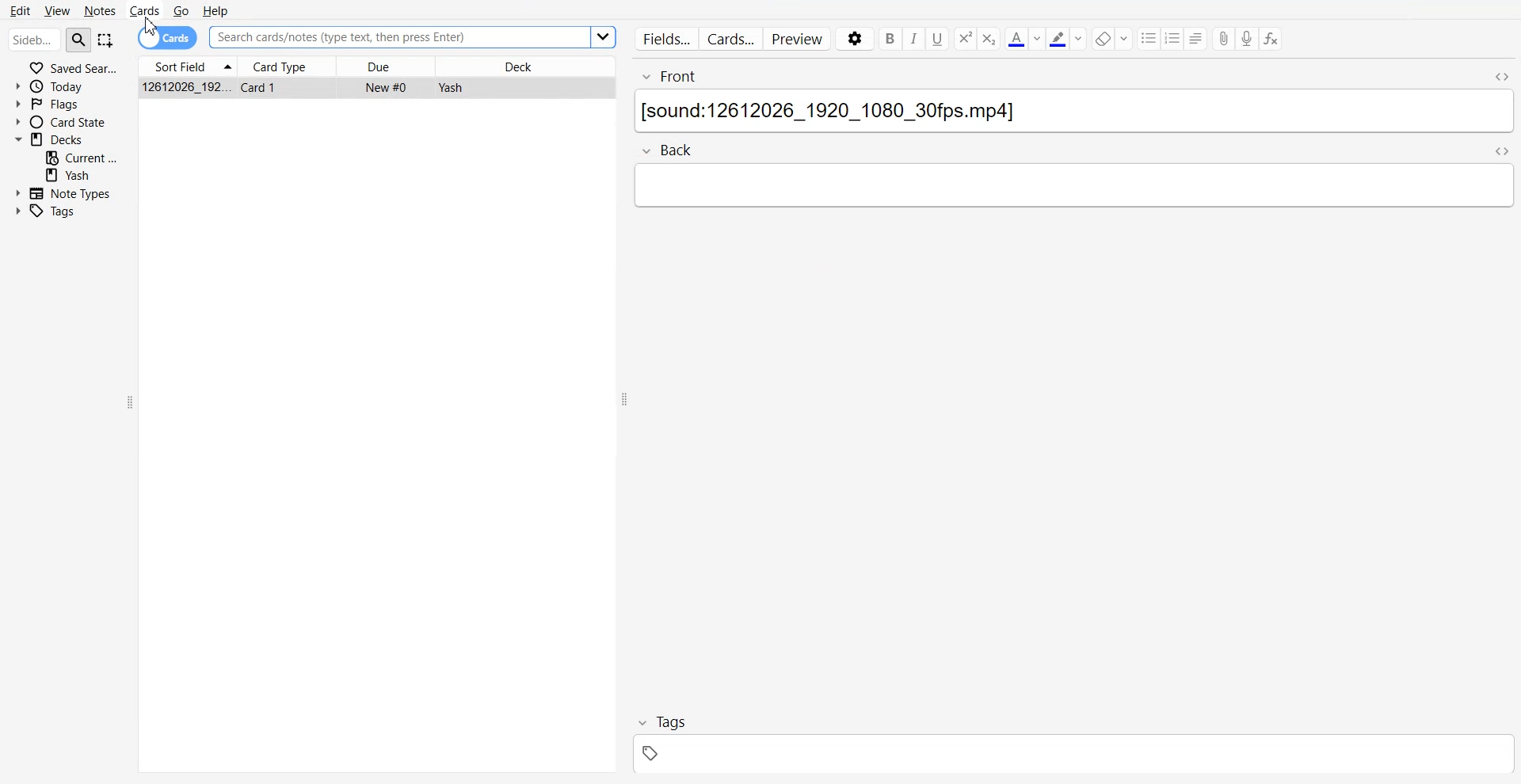 The image size is (1521, 784). What do you see at coordinates (1112, 38) in the screenshot?
I see `Erase Text` at bounding box center [1112, 38].